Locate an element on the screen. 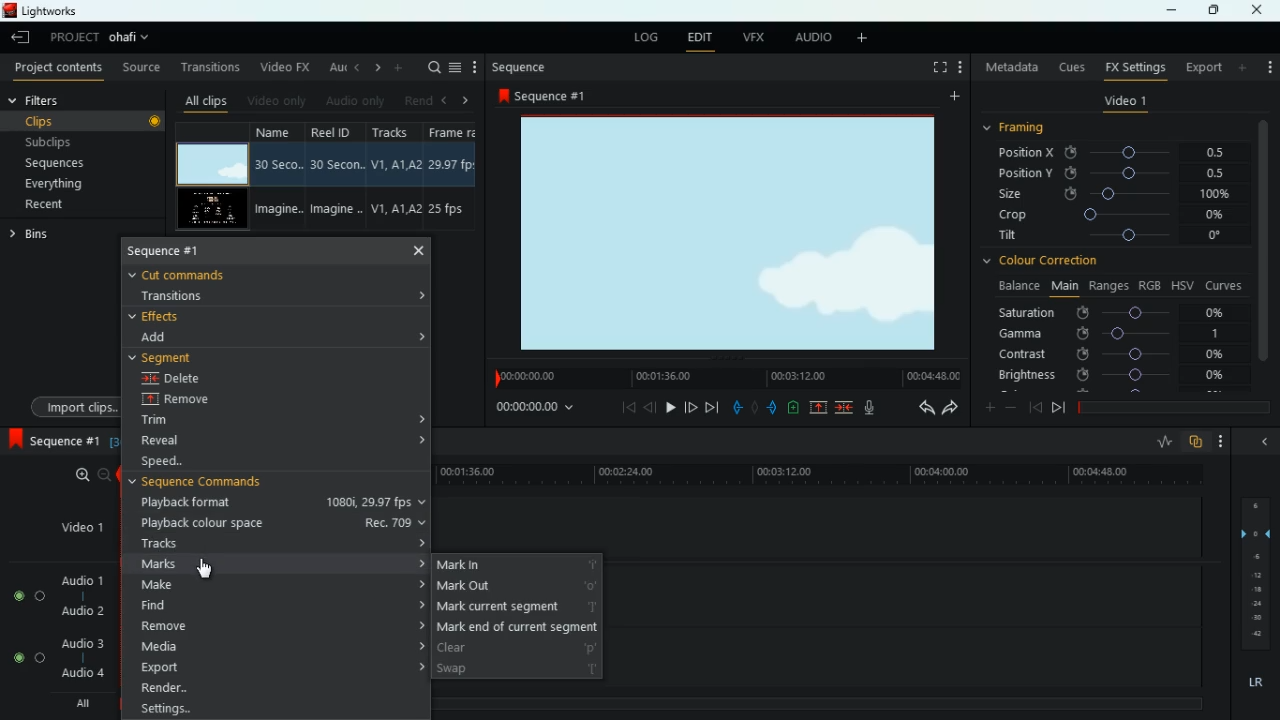 Image resolution: width=1280 pixels, height=720 pixels. position X is located at coordinates (1109, 153).